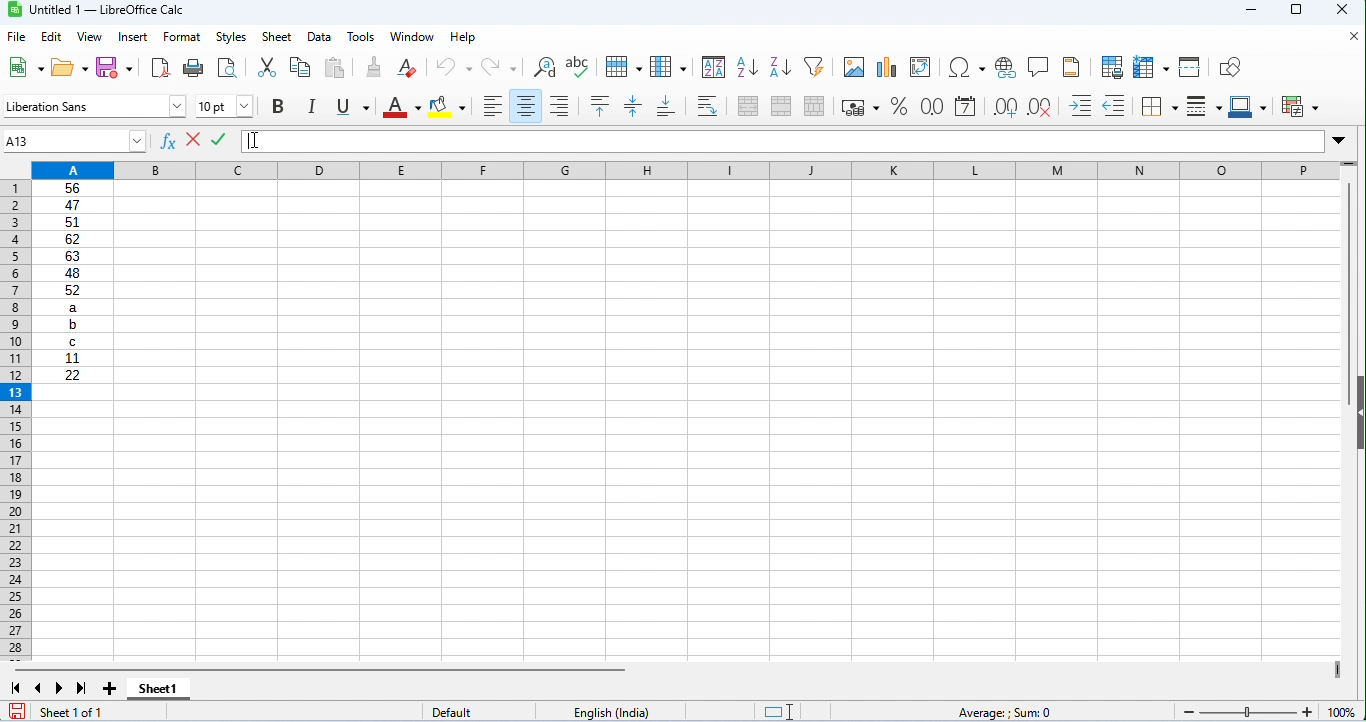 This screenshot has height=722, width=1366. Describe the element at coordinates (1081, 105) in the screenshot. I see `increase indent` at that location.